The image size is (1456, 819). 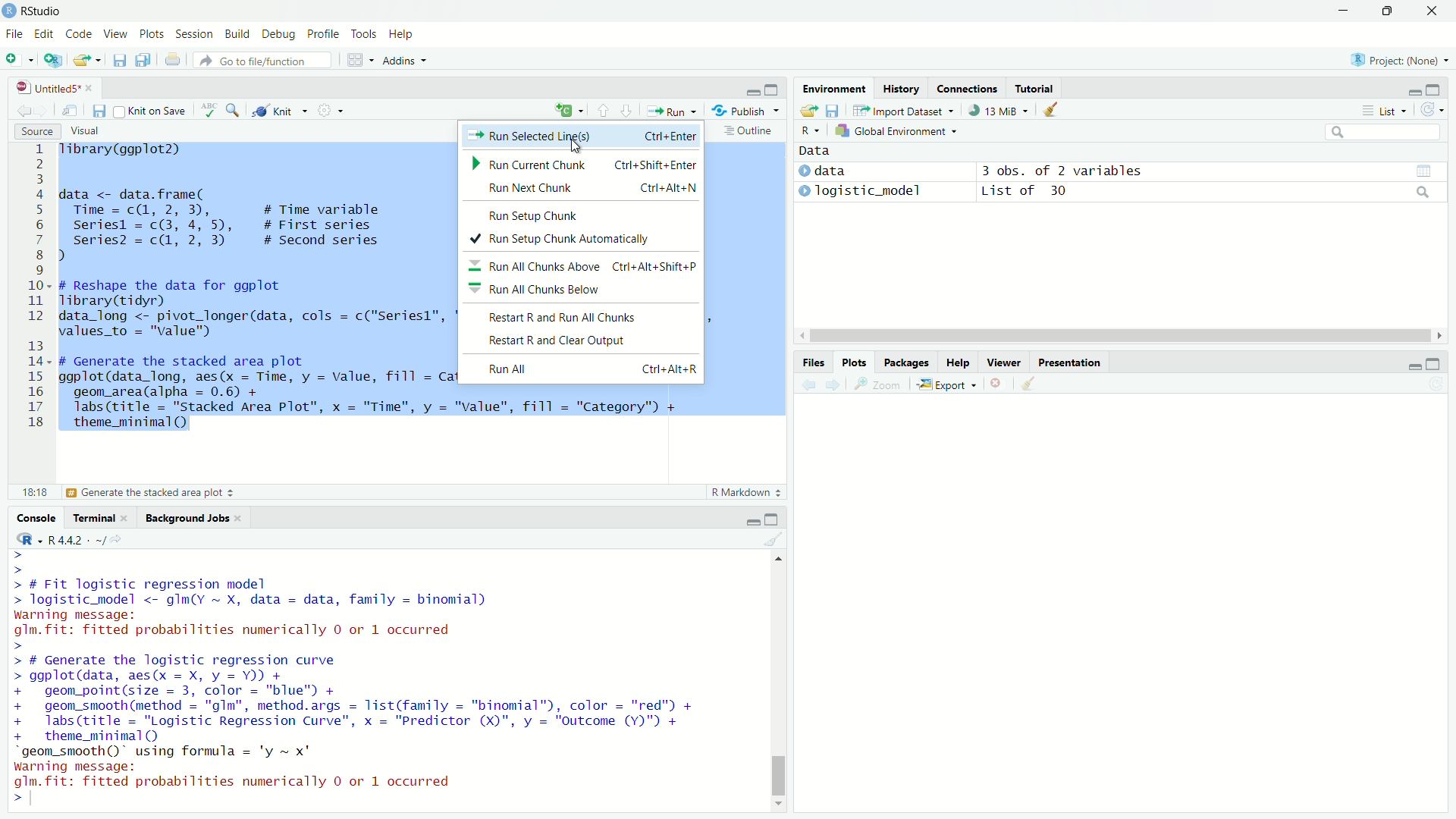 What do you see at coordinates (281, 111) in the screenshot?
I see `Knit` at bounding box center [281, 111].